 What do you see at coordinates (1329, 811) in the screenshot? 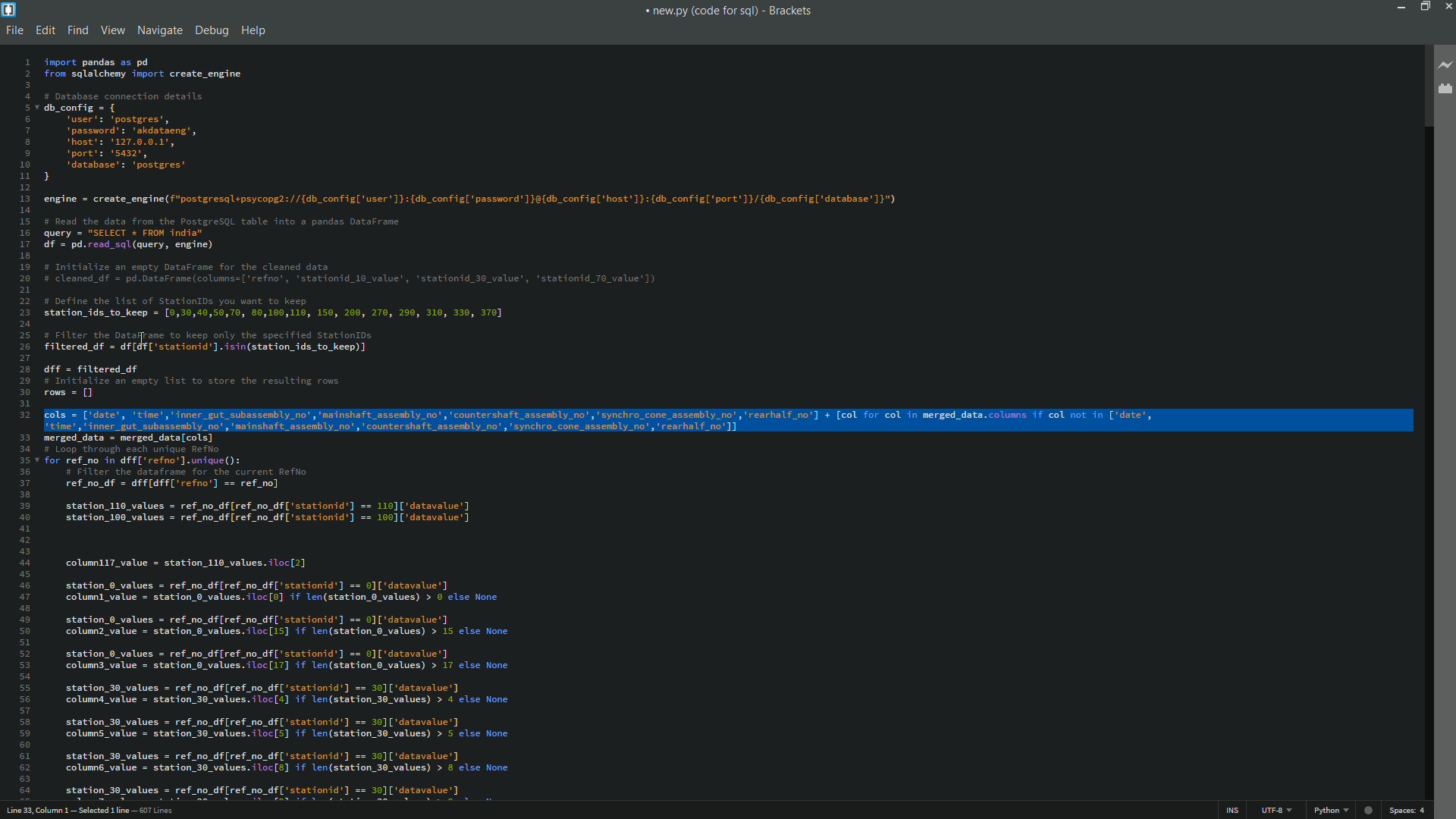
I see `file format` at bounding box center [1329, 811].